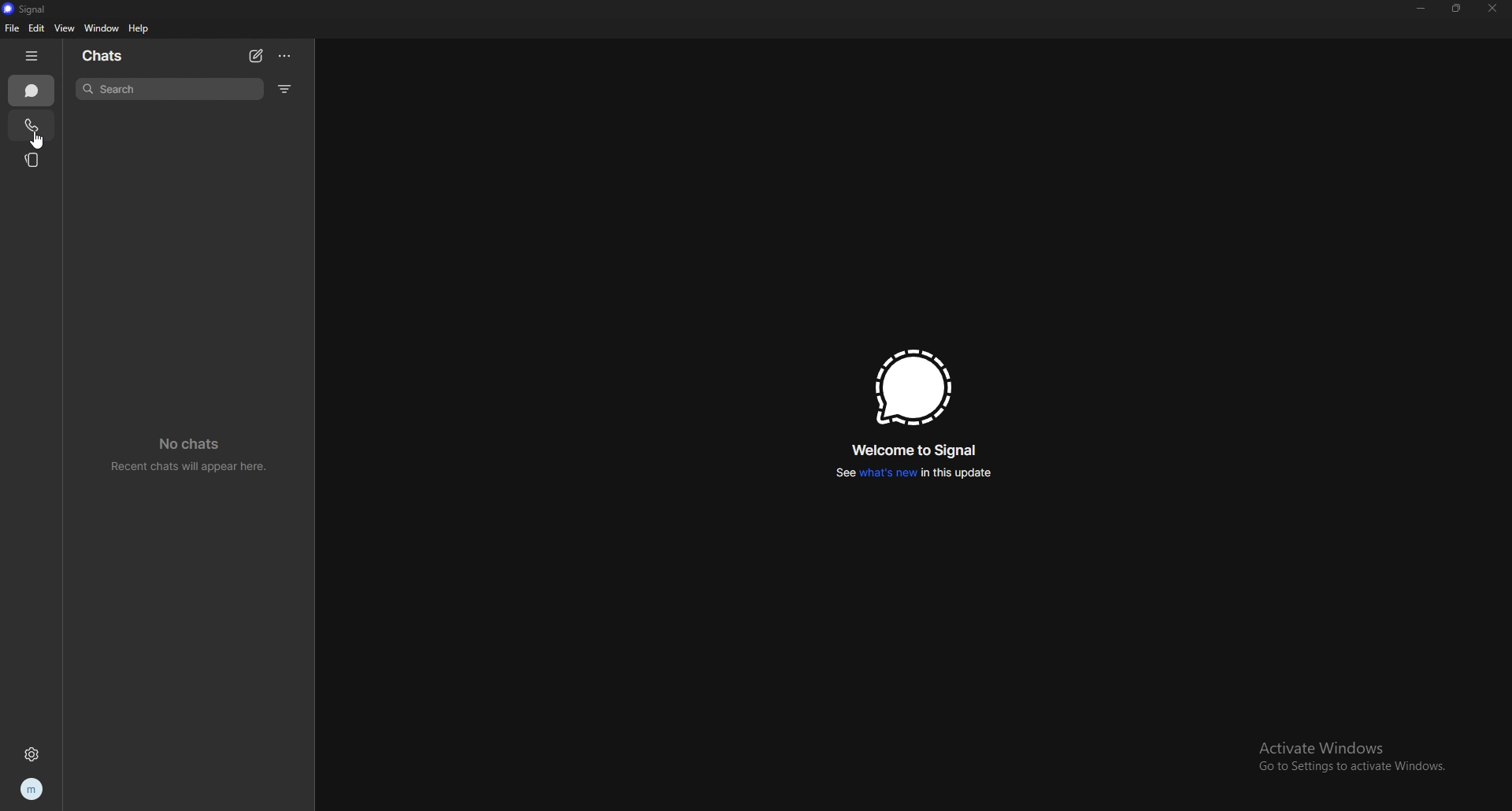 This screenshot has width=1512, height=811. Describe the element at coordinates (140, 28) in the screenshot. I see `help` at that location.